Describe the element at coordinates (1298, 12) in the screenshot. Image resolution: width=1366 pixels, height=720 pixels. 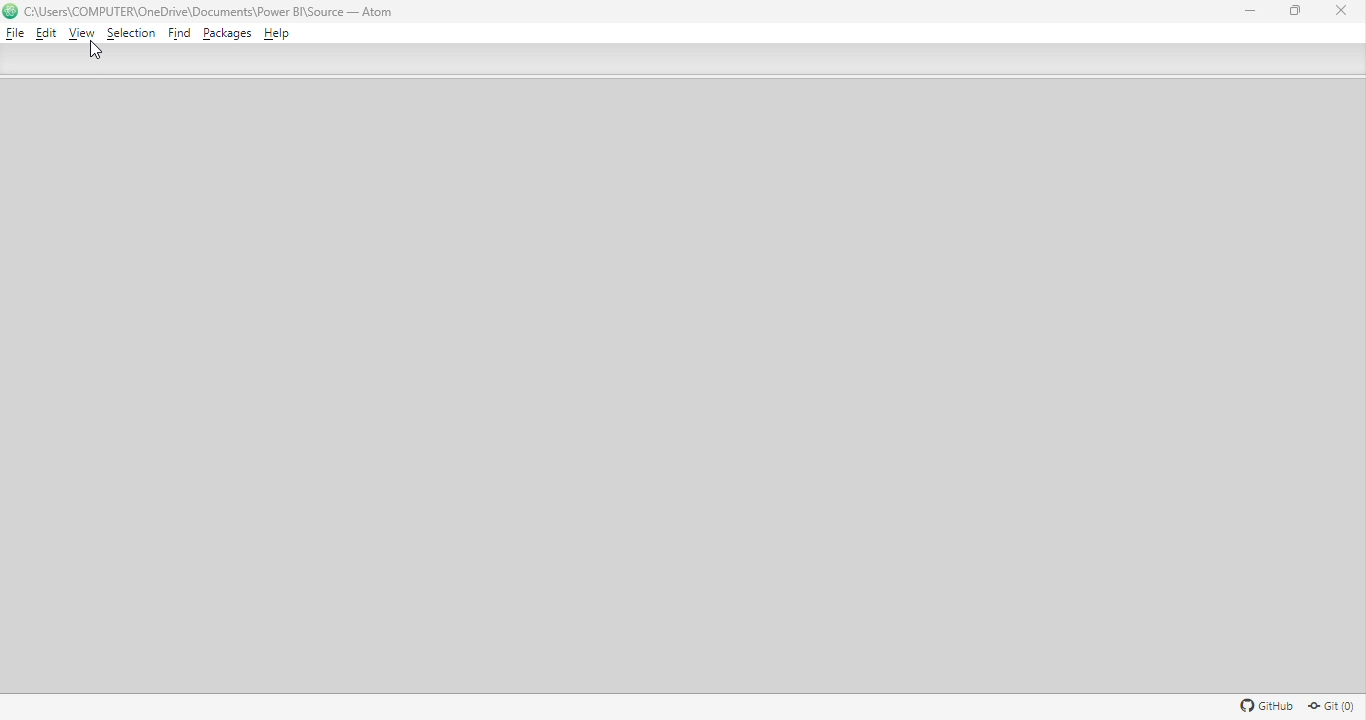
I see `Maximize` at that location.